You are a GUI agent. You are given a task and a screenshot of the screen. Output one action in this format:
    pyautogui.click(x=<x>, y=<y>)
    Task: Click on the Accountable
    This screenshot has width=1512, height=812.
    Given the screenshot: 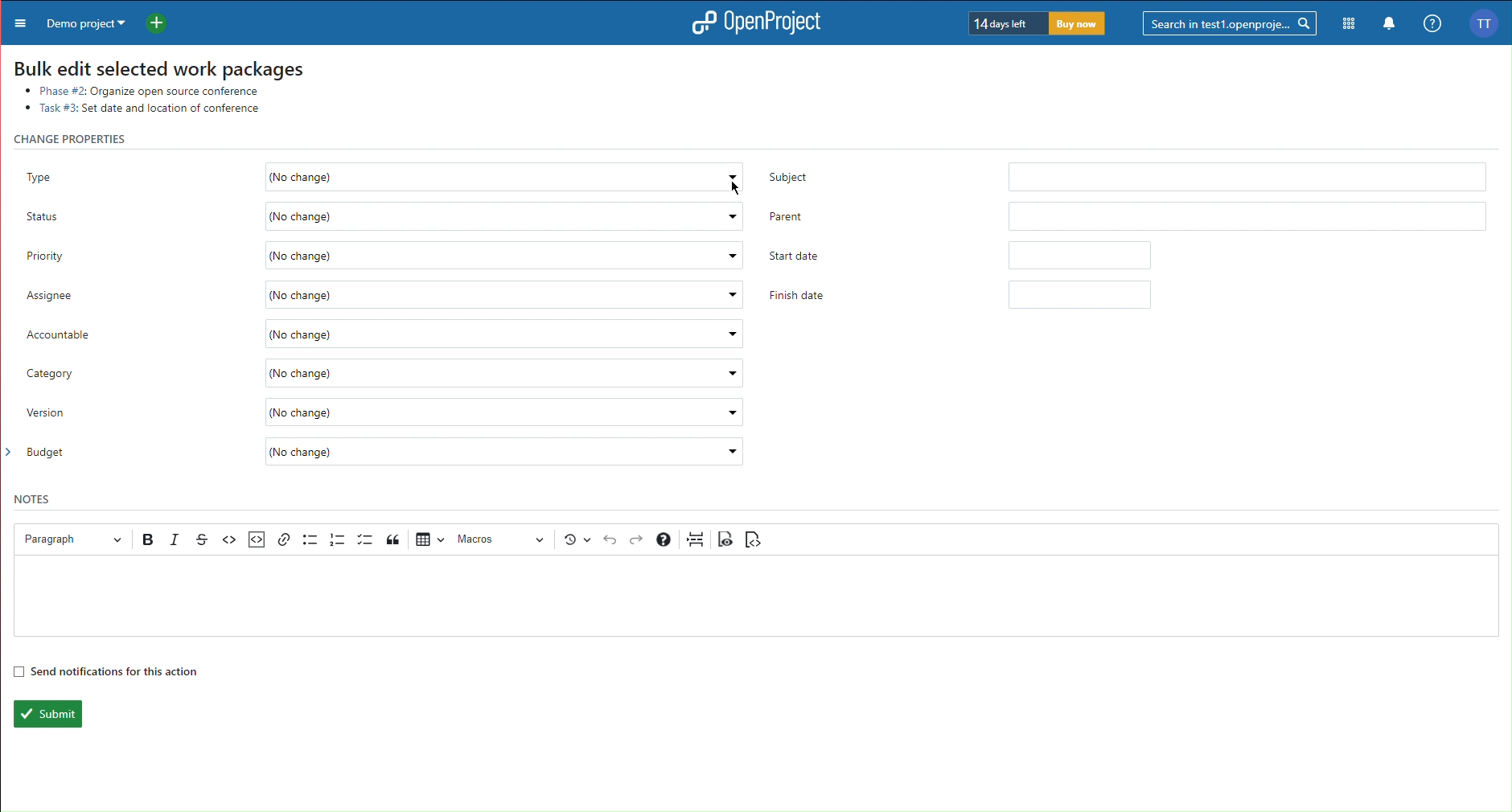 What is the action you would take?
    pyautogui.click(x=387, y=332)
    